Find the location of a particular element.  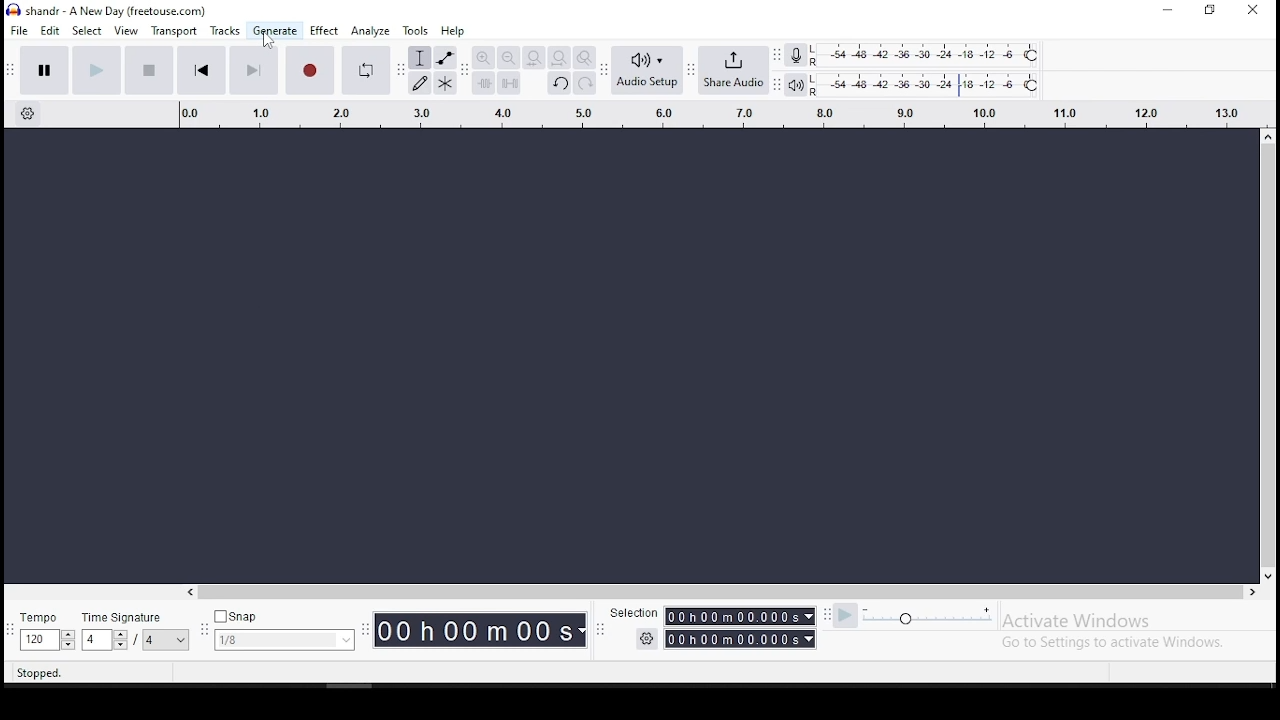

envelope tool is located at coordinates (445, 57).